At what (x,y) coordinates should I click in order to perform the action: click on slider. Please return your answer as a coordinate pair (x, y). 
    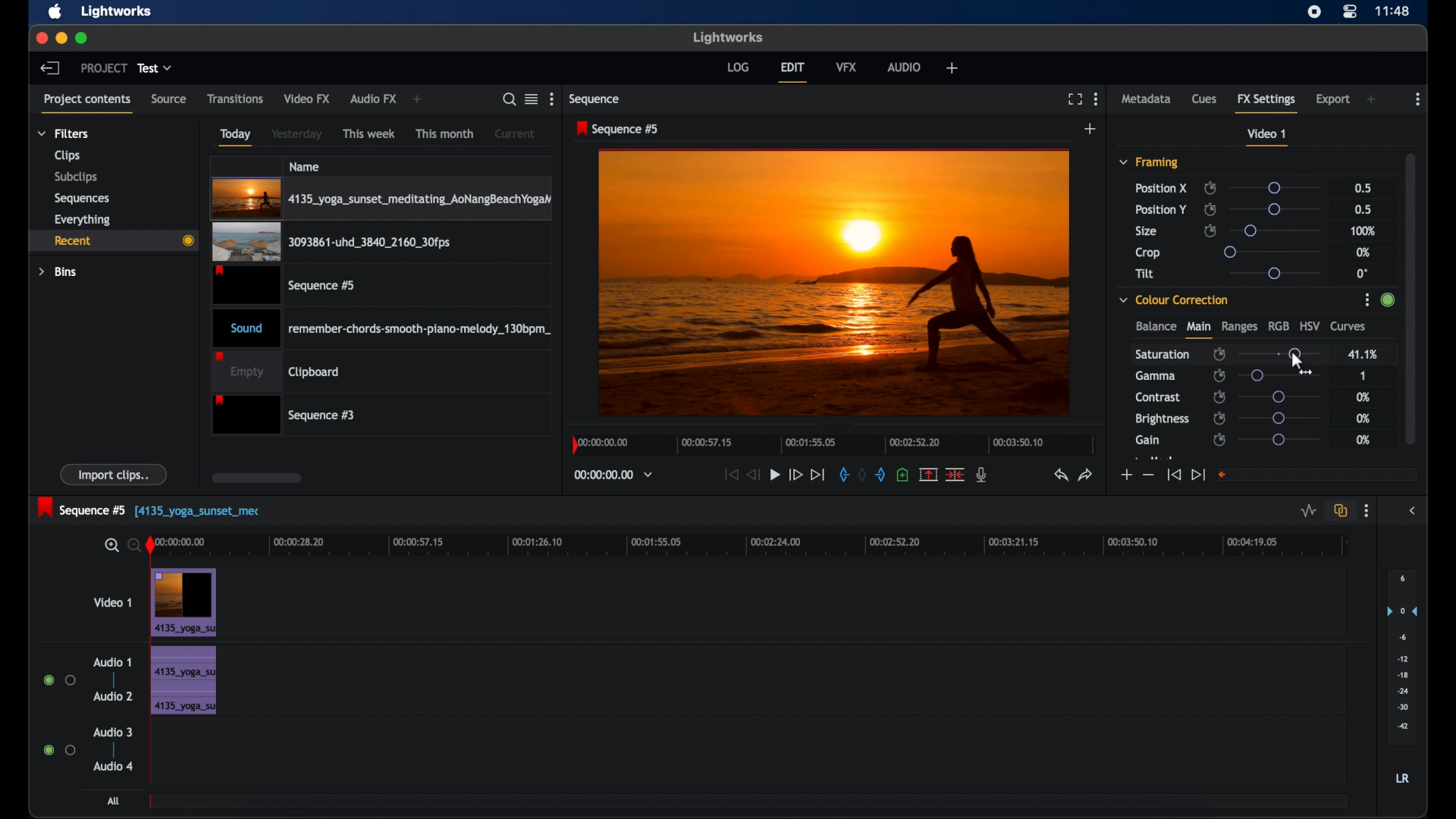
    Looking at the image, I should click on (1284, 375).